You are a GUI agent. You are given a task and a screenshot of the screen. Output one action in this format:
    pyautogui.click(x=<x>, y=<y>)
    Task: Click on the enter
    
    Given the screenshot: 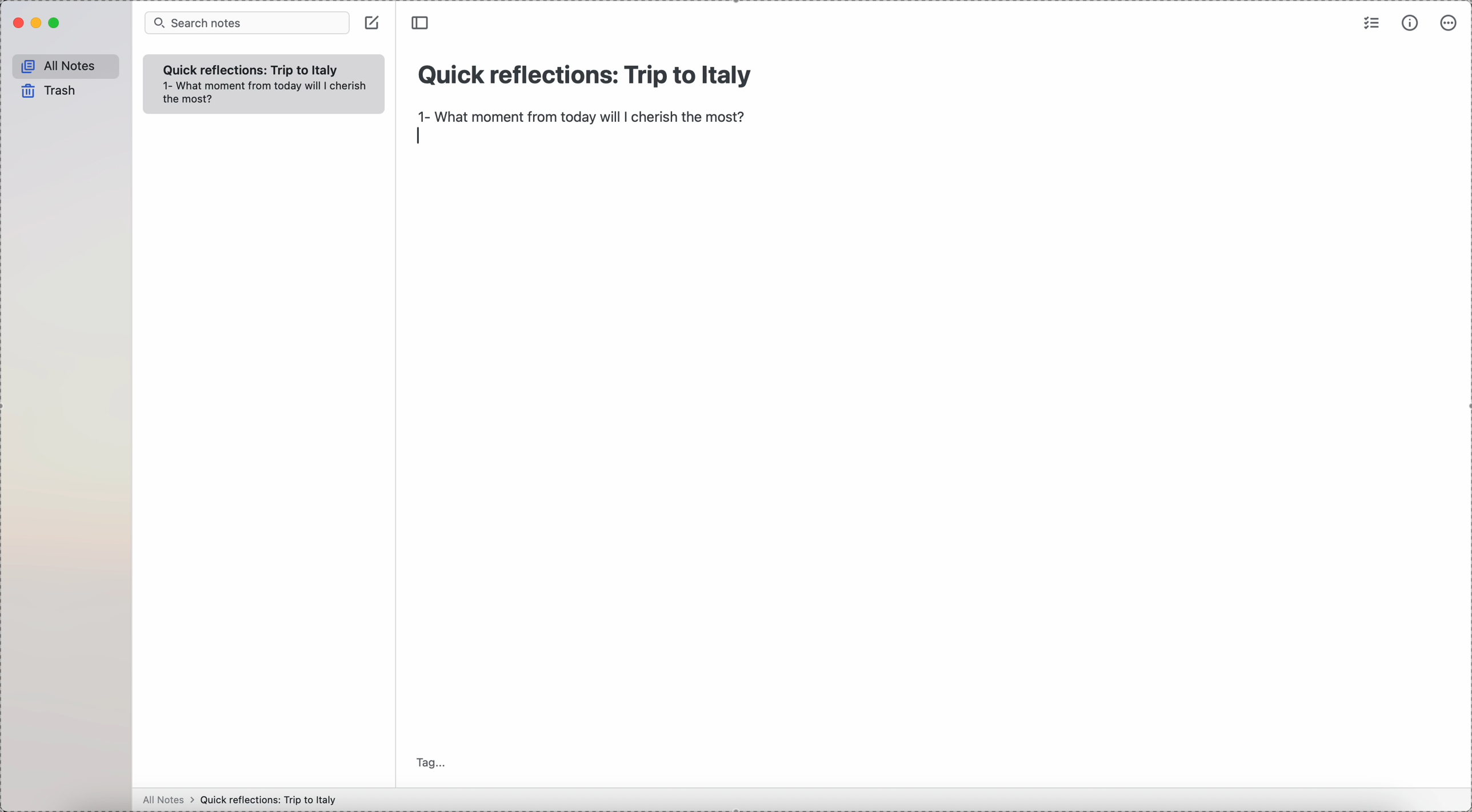 What is the action you would take?
    pyautogui.click(x=419, y=137)
    